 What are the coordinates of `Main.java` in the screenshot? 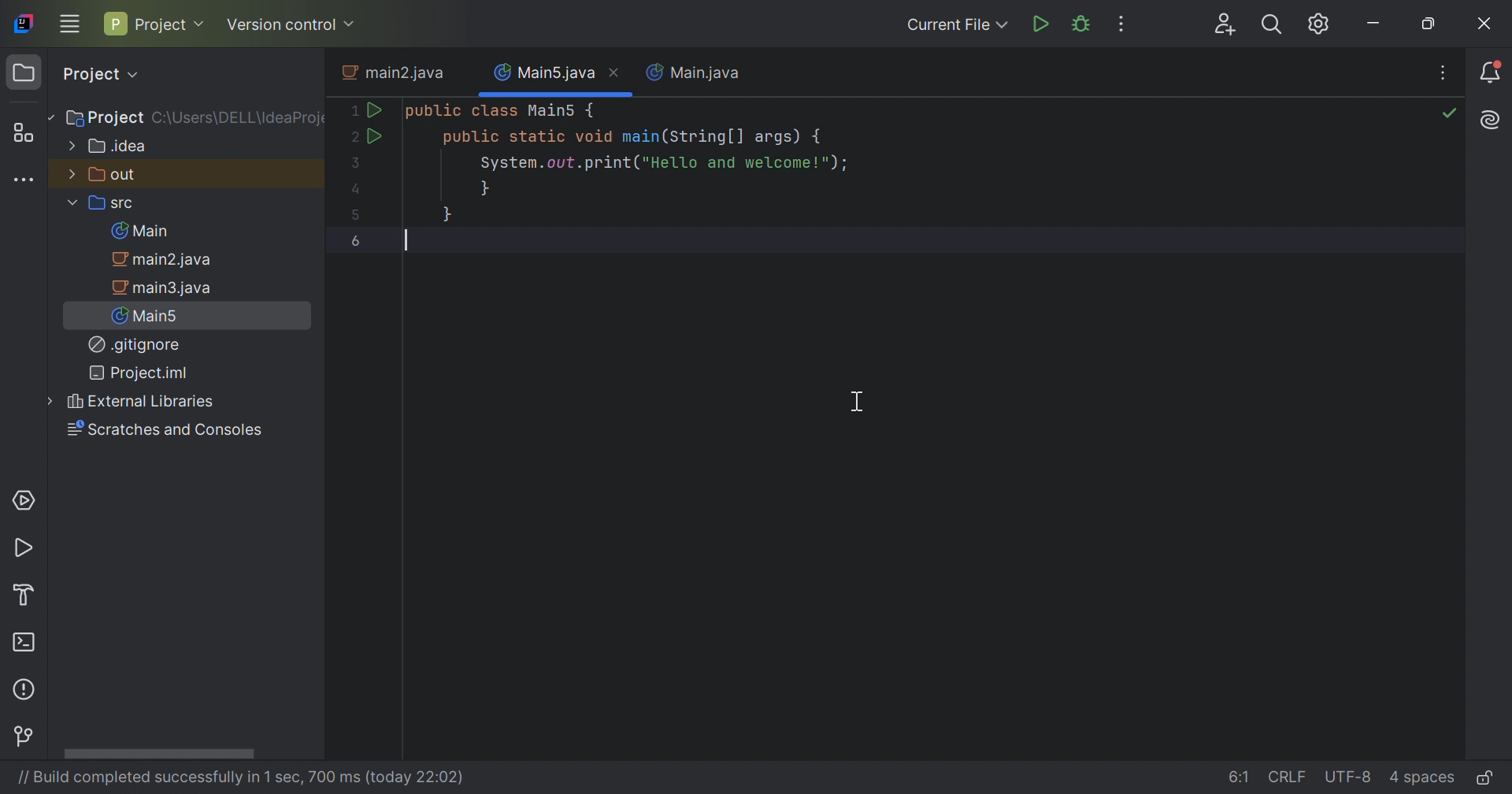 It's located at (694, 72).